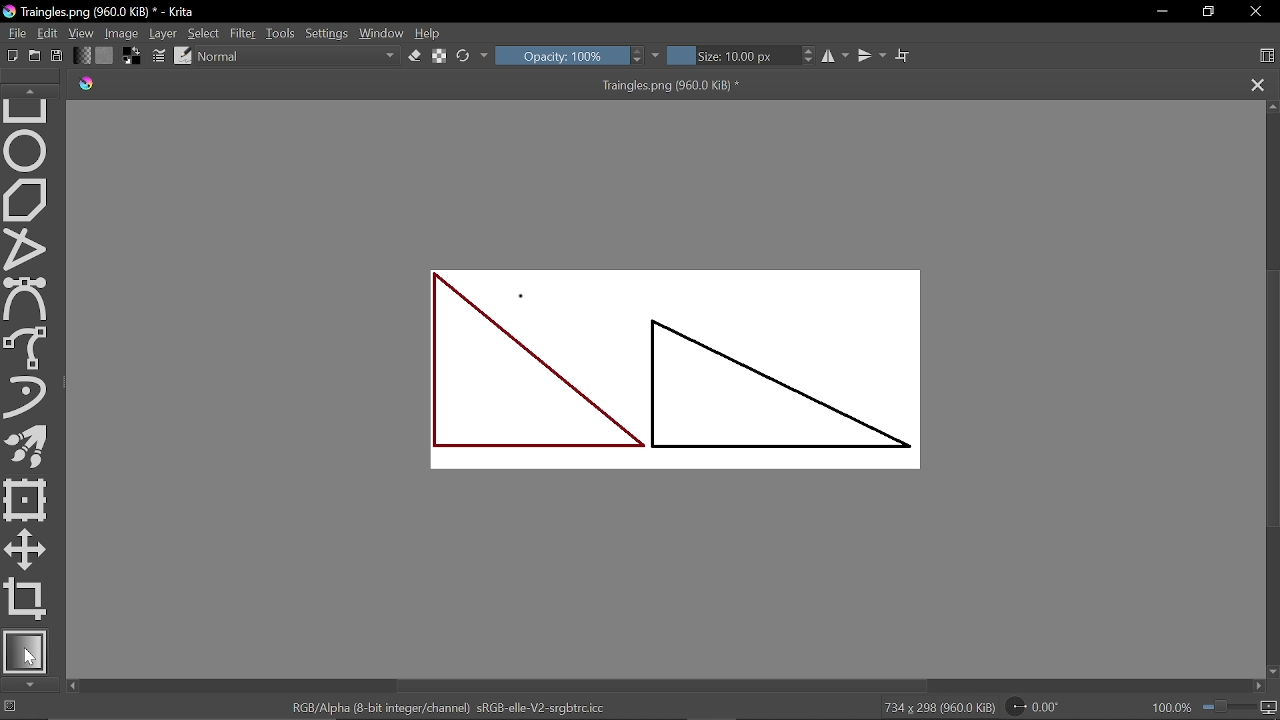 The image size is (1280, 720). I want to click on Transform a layer tool, so click(26, 500).